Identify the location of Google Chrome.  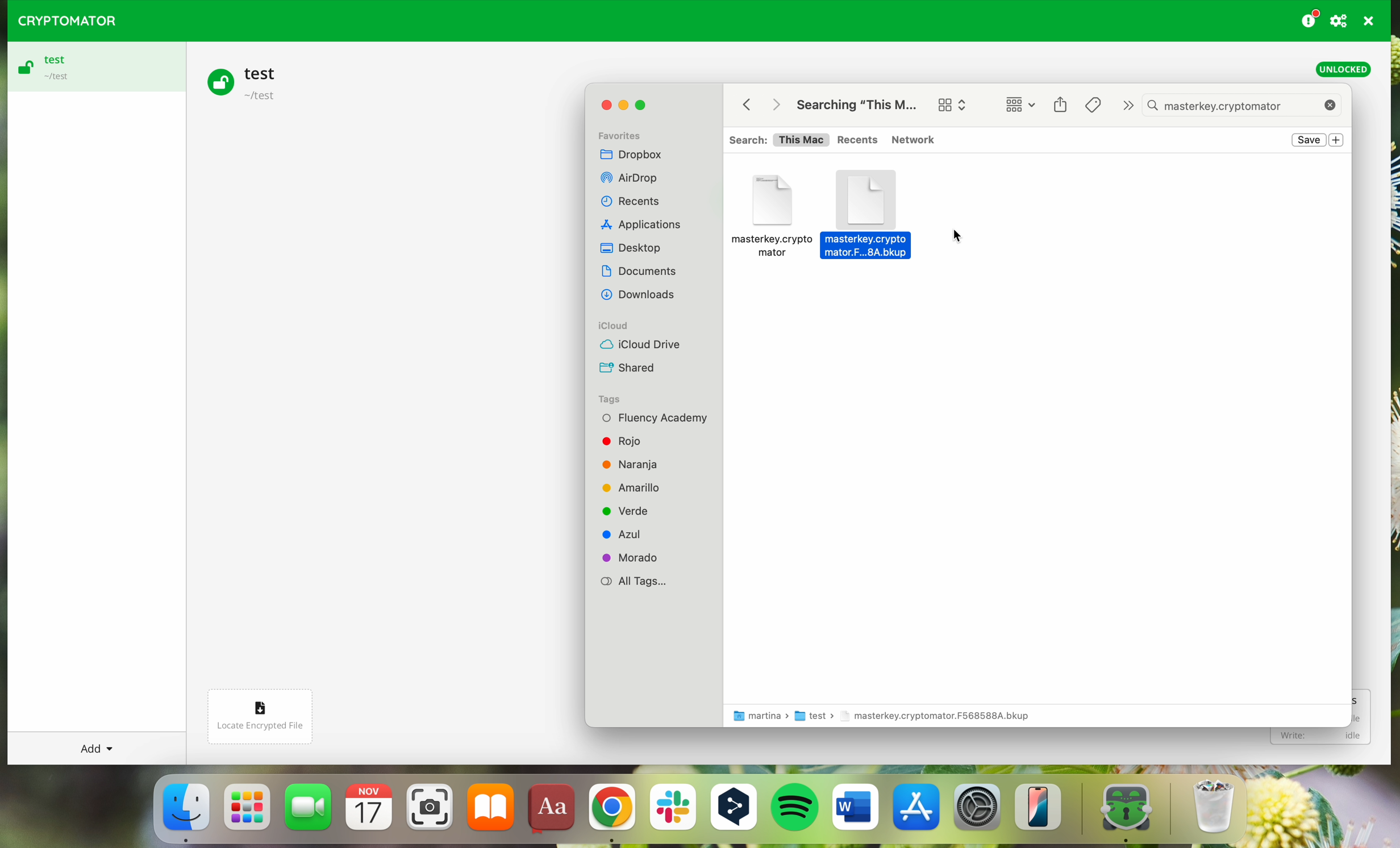
(611, 813).